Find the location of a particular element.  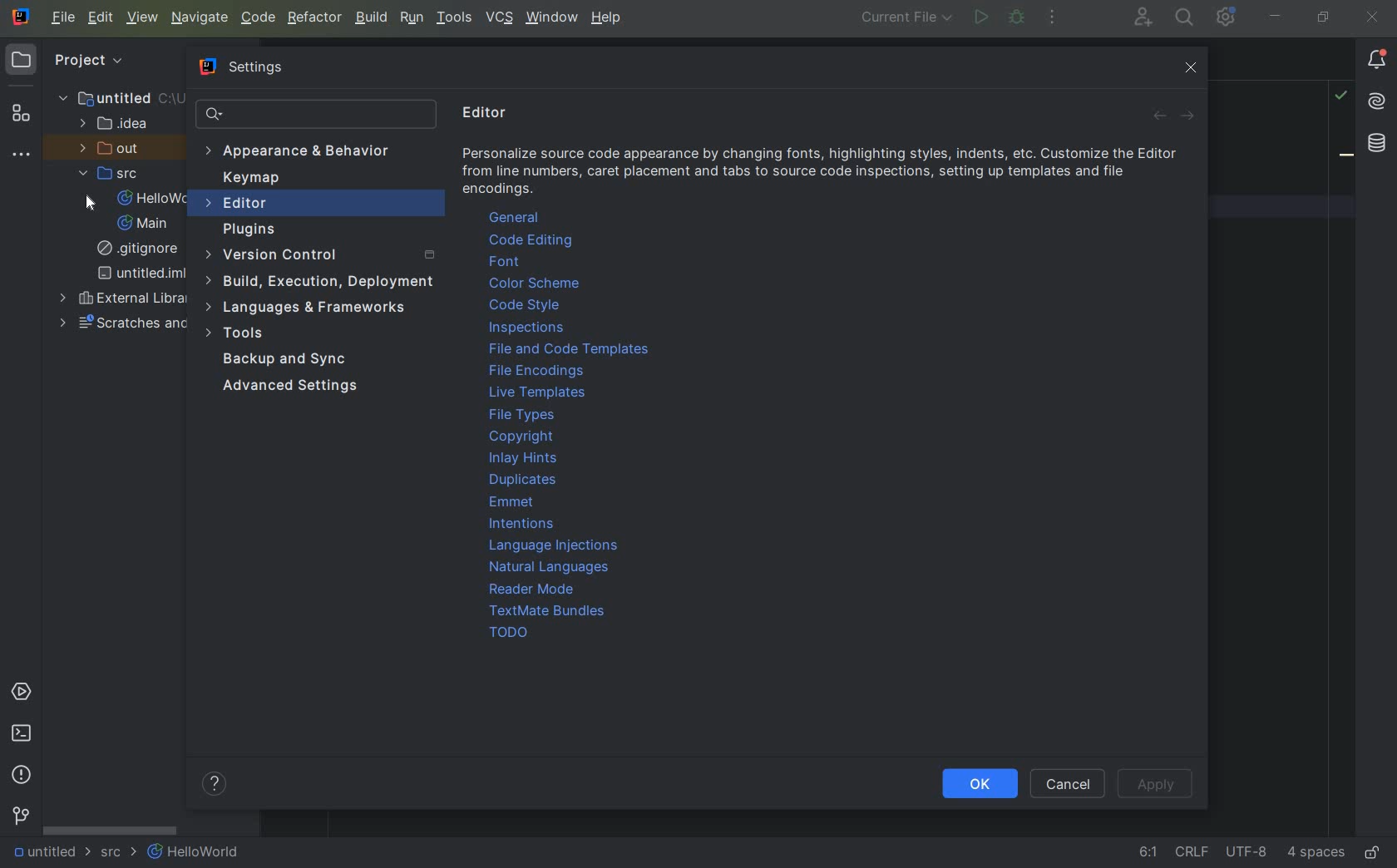

code style is located at coordinates (529, 307).